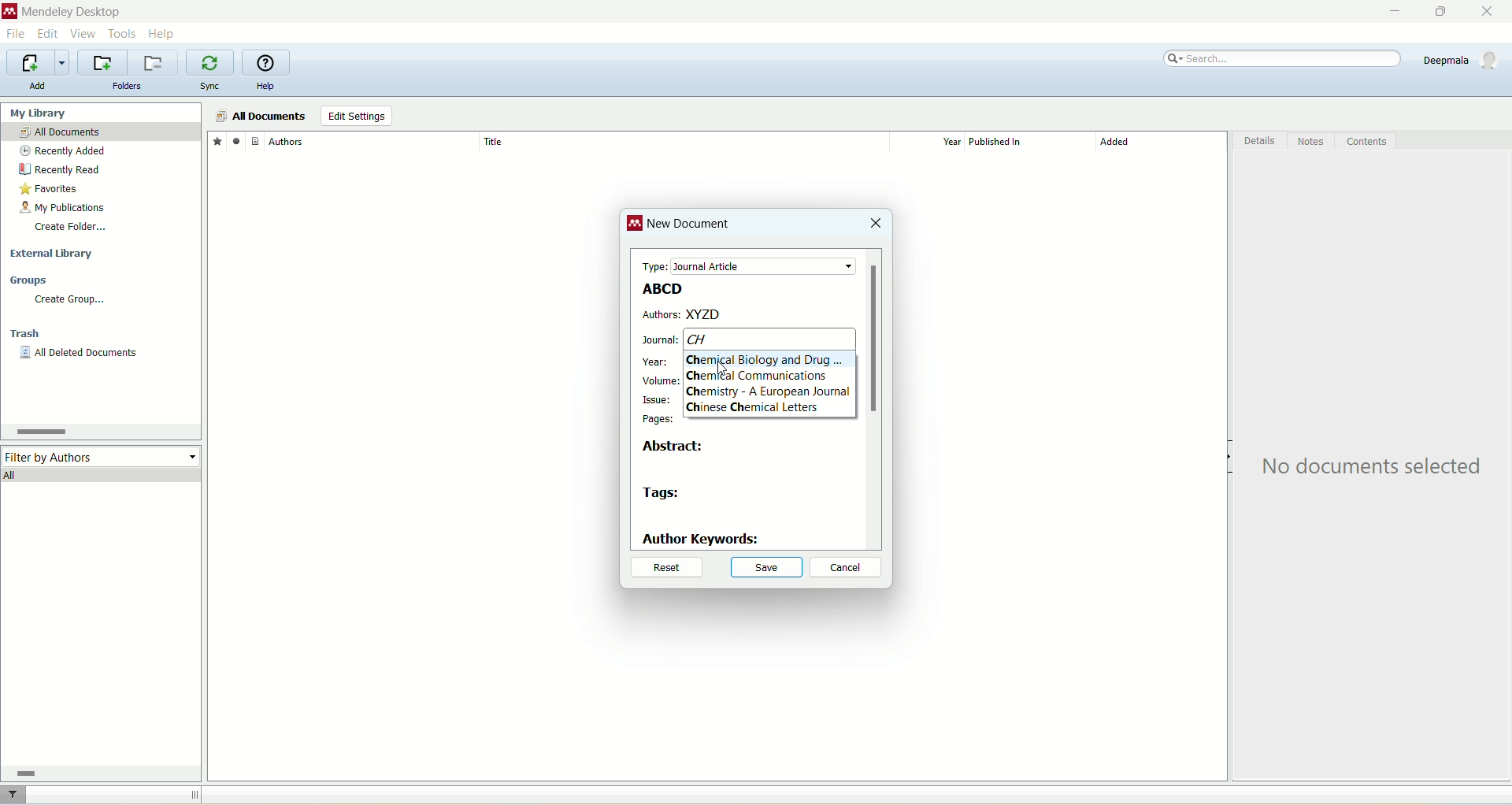  What do you see at coordinates (155, 62) in the screenshot?
I see `remove current folder` at bounding box center [155, 62].